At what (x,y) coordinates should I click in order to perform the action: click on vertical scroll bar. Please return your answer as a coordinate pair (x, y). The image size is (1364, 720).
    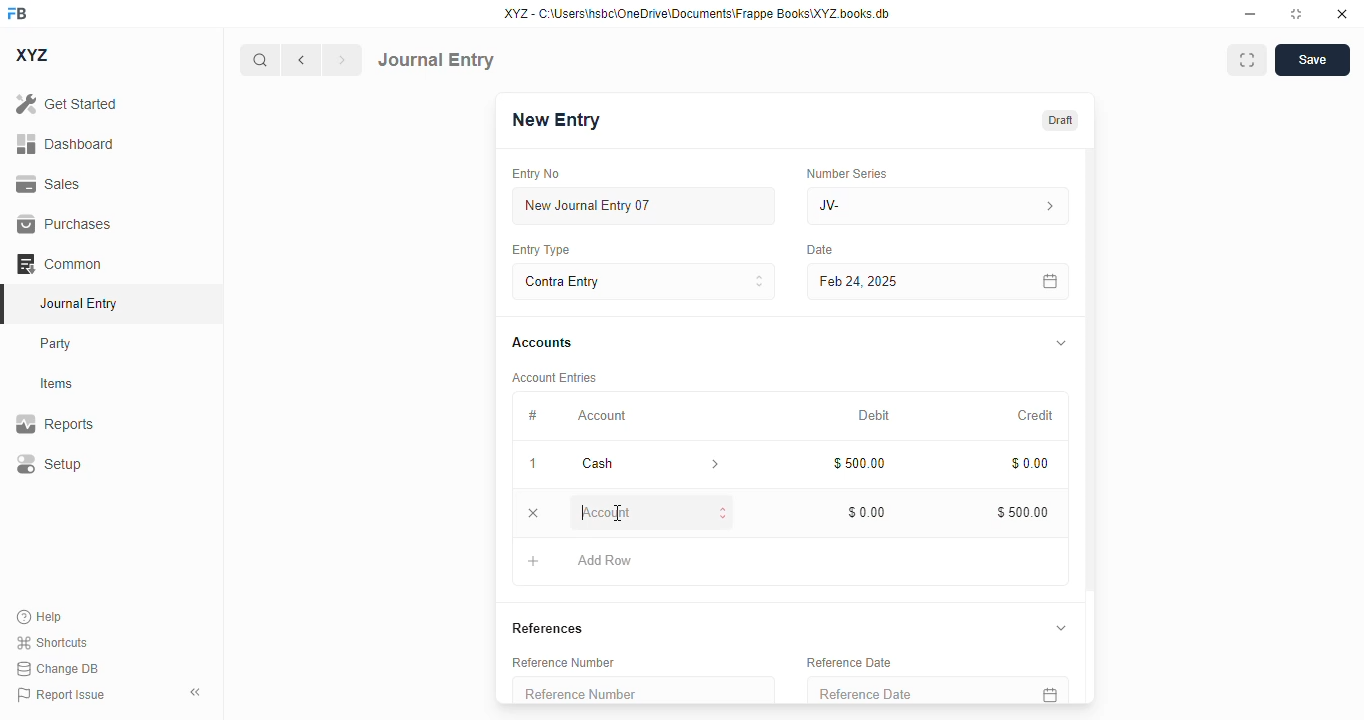
    Looking at the image, I should click on (1090, 426).